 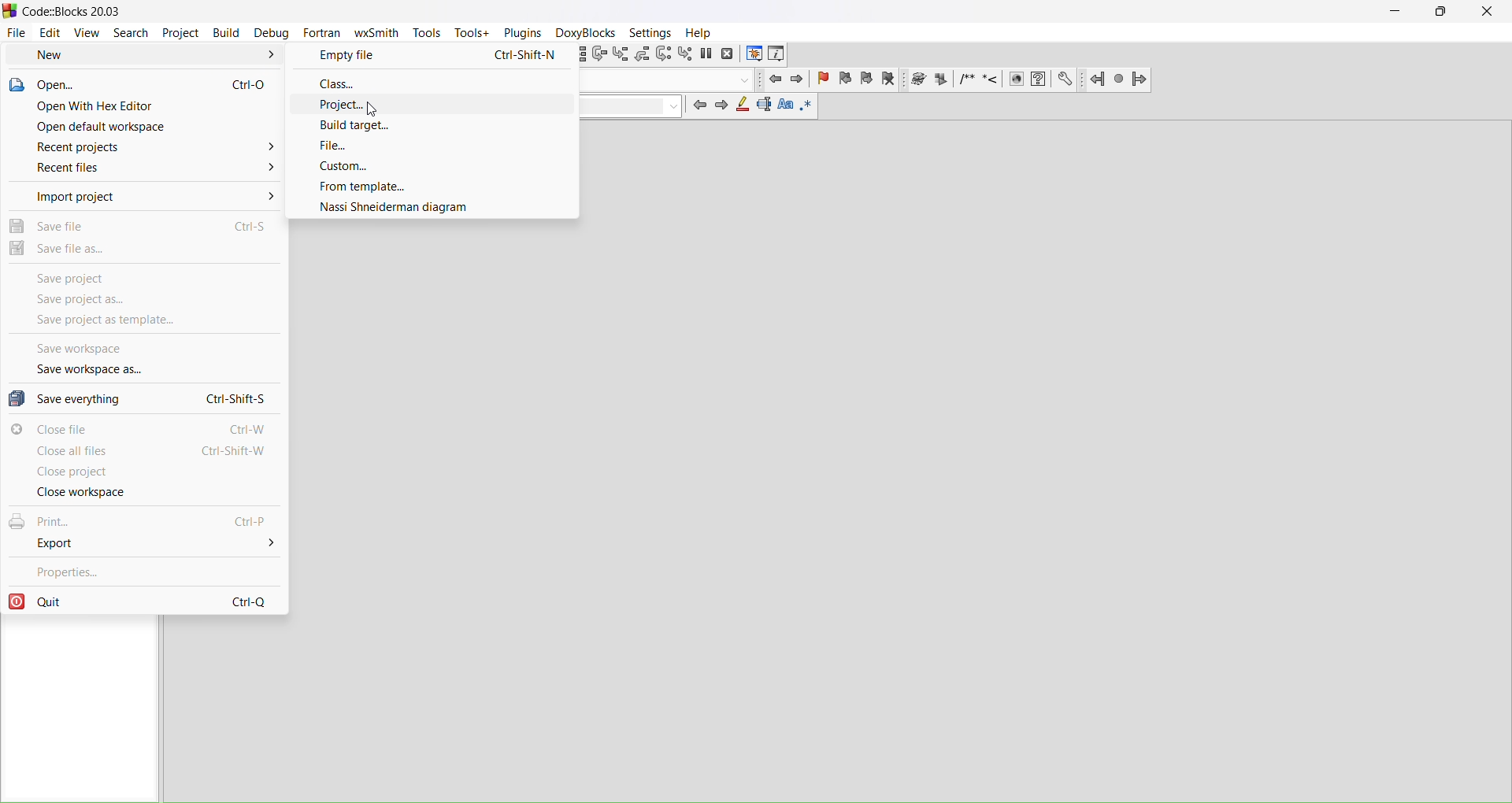 I want to click on properties, so click(x=146, y=571).